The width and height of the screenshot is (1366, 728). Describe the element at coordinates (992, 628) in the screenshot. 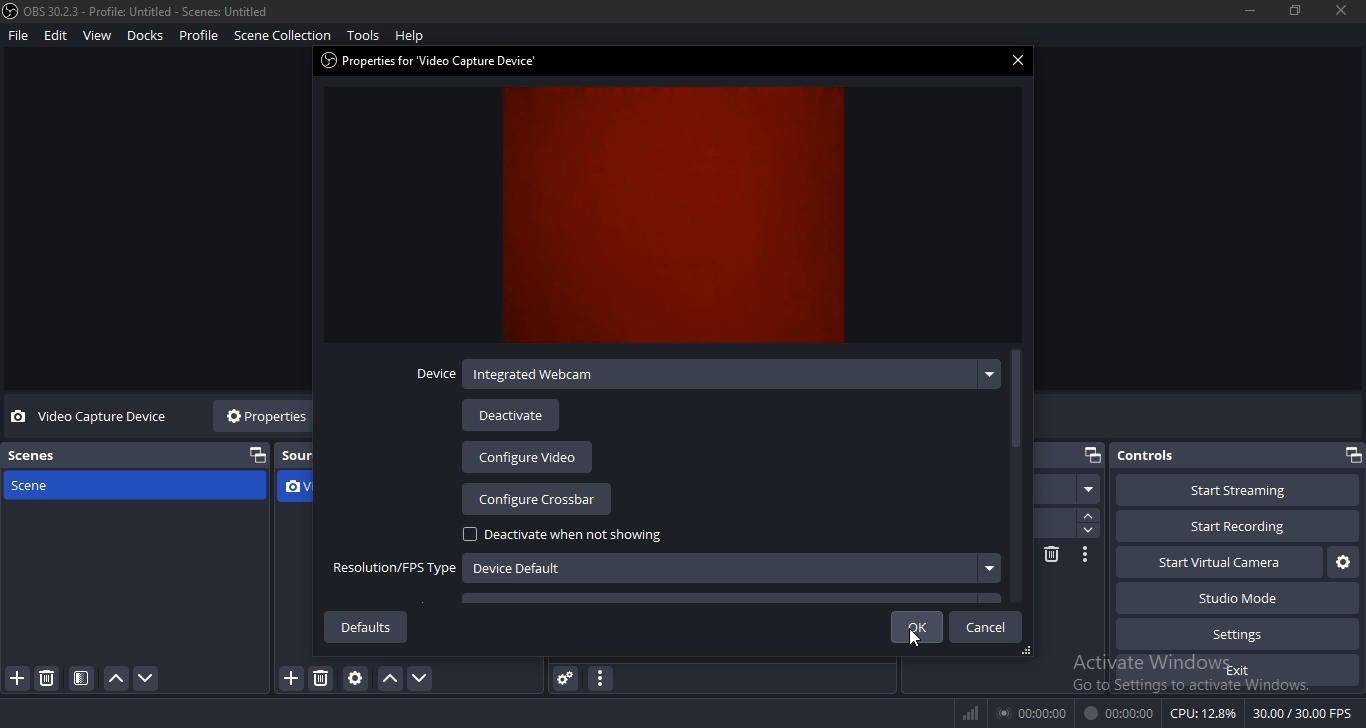

I see `cancel` at that location.